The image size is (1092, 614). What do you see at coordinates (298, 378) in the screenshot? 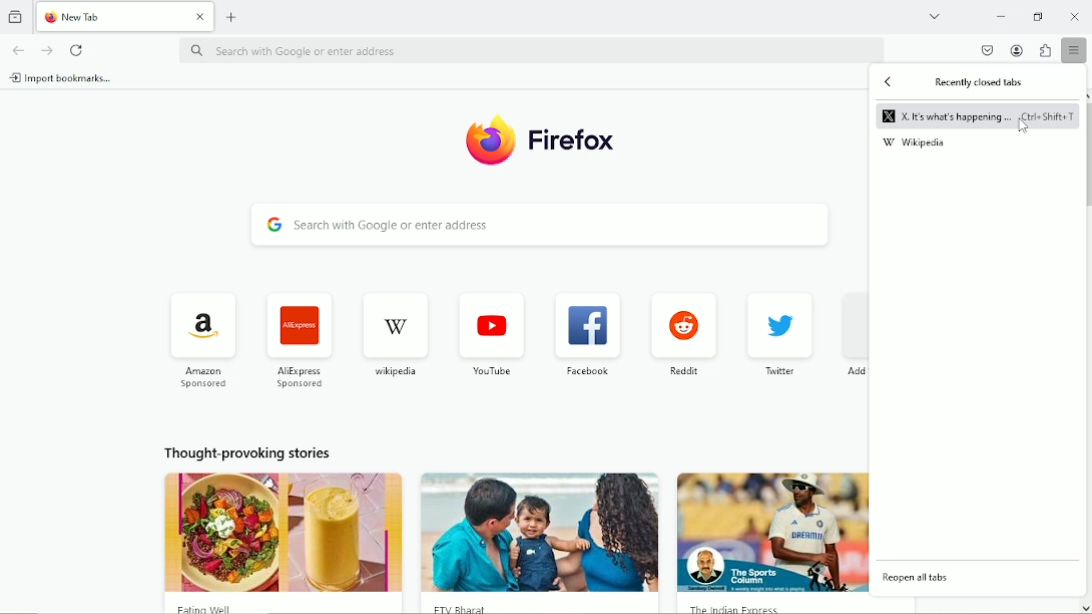
I see `AliExpress` at bounding box center [298, 378].